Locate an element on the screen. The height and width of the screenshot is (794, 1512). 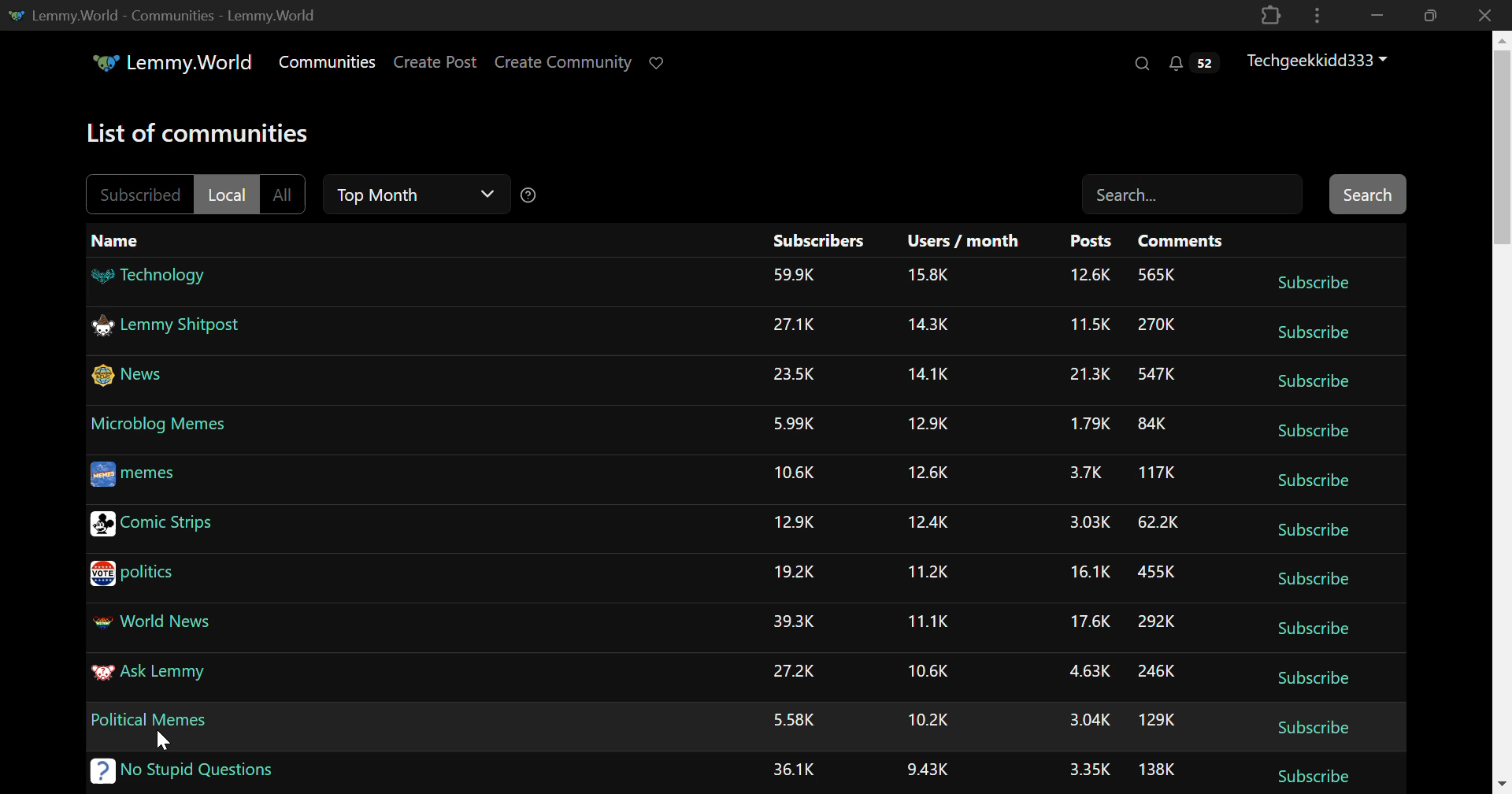
Amount is located at coordinates (1158, 572).